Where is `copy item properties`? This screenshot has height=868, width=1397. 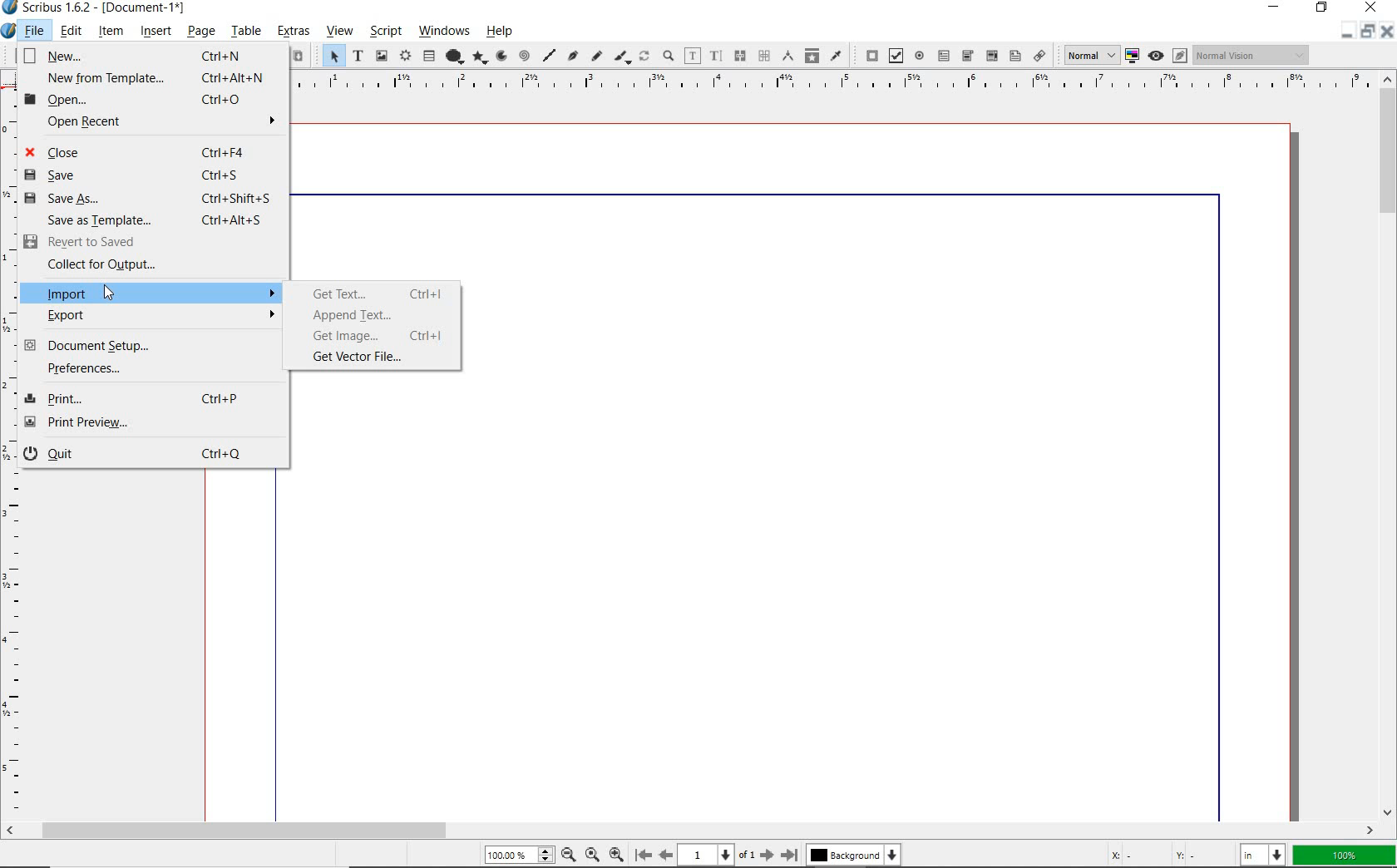 copy item properties is located at coordinates (811, 55).